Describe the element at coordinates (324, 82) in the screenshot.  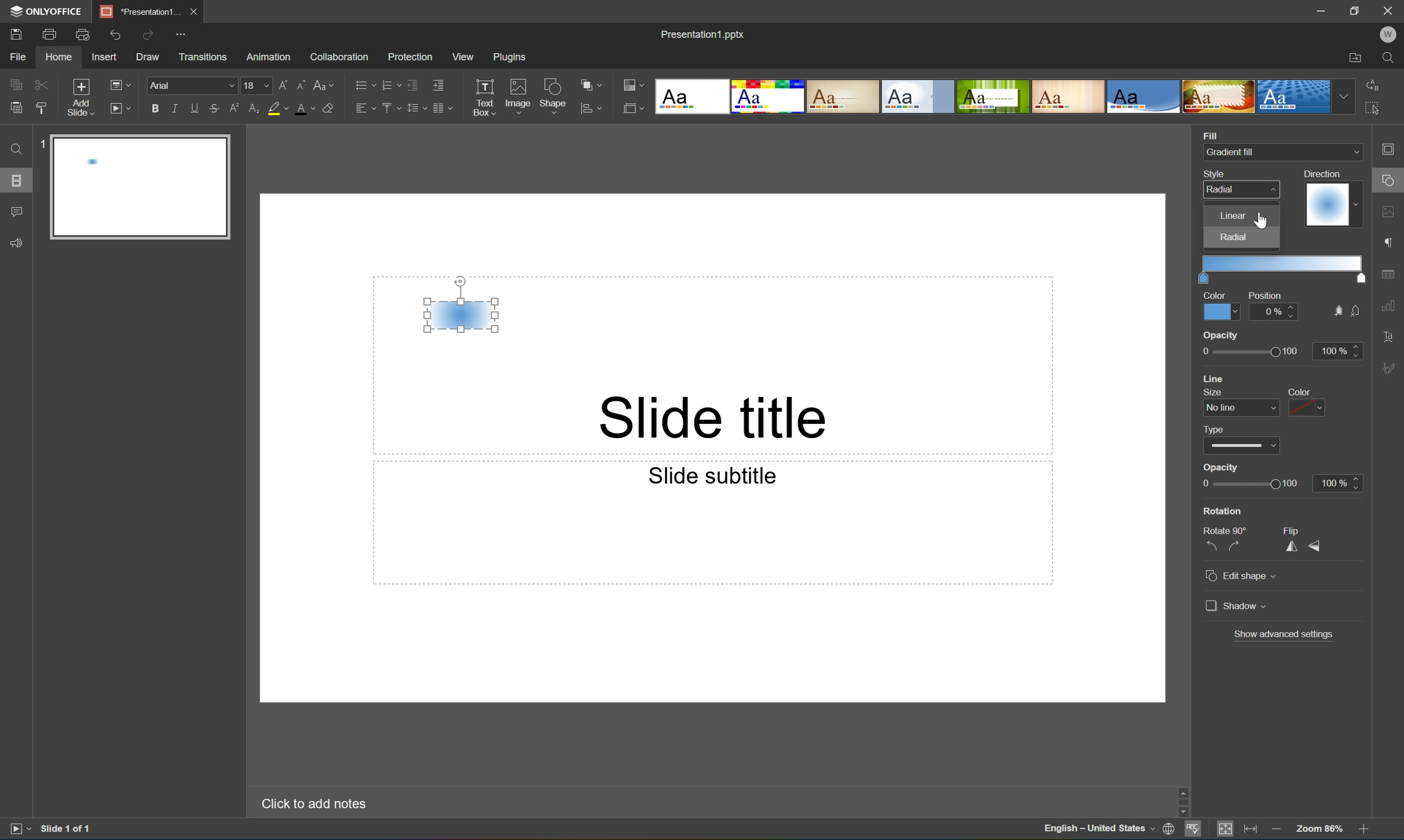
I see `Change case` at that location.